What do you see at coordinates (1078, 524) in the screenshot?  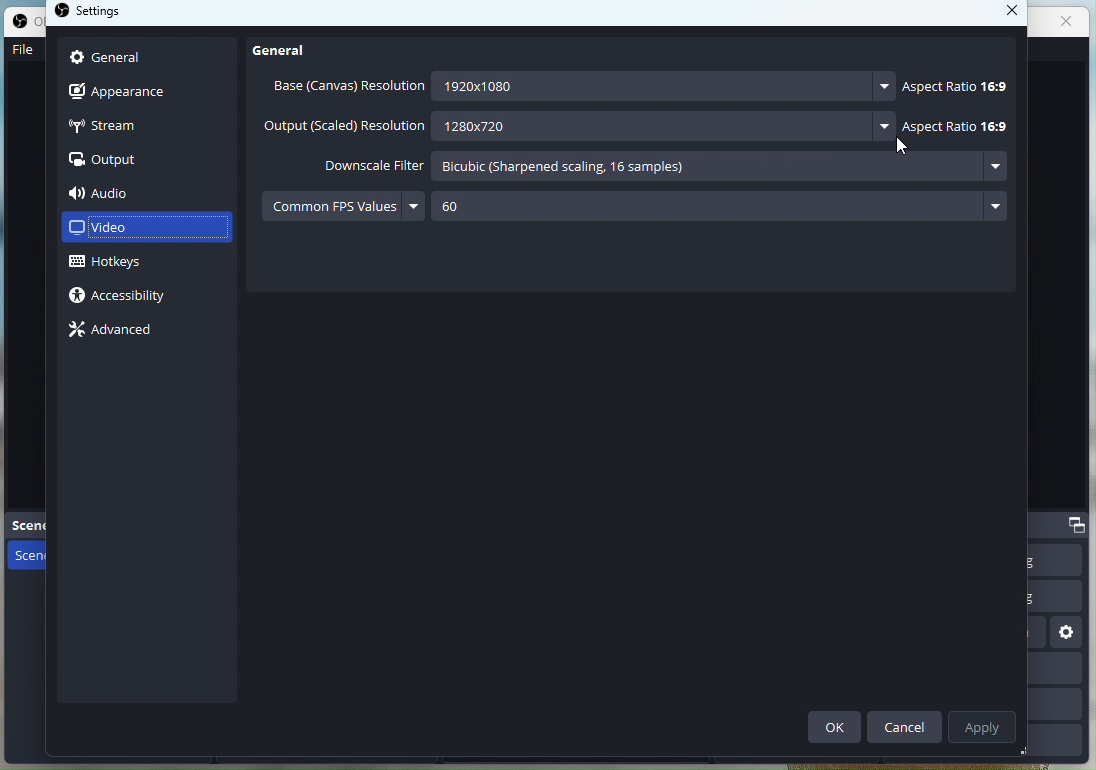 I see `dock options` at bounding box center [1078, 524].